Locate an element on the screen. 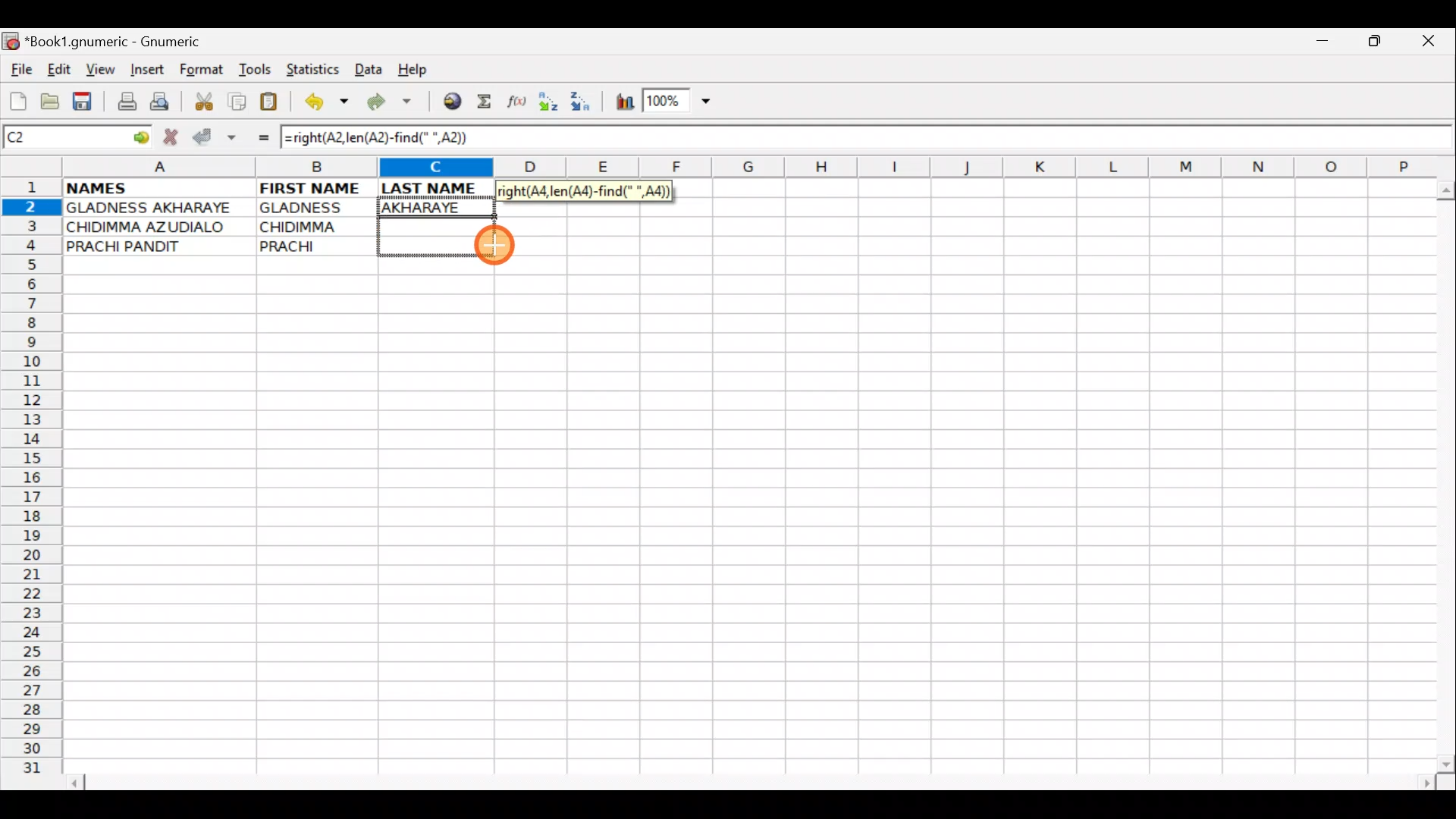 The height and width of the screenshot is (819, 1456). Cancel change is located at coordinates (174, 134).